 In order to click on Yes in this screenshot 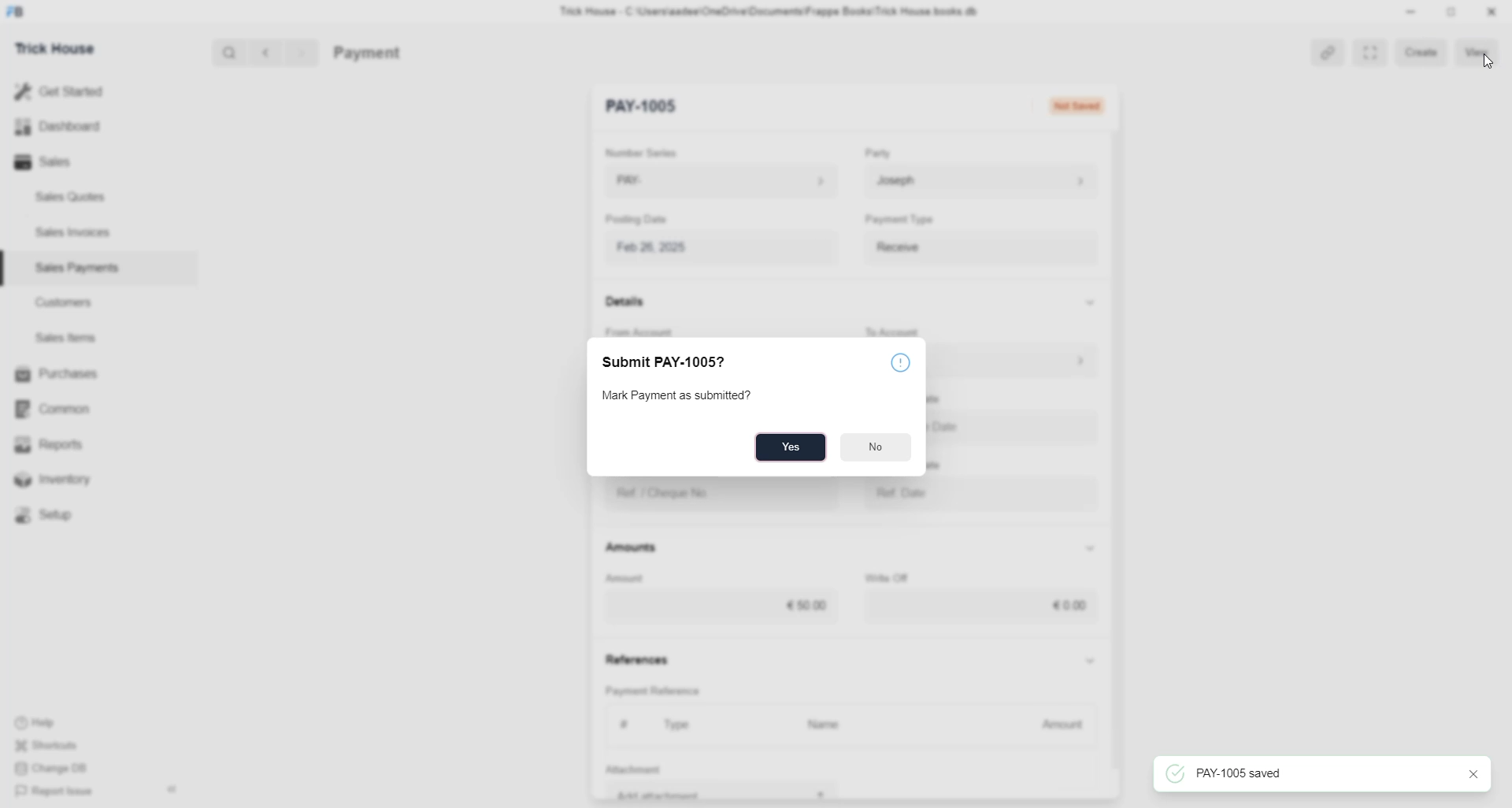, I will do `click(791, 448)`.